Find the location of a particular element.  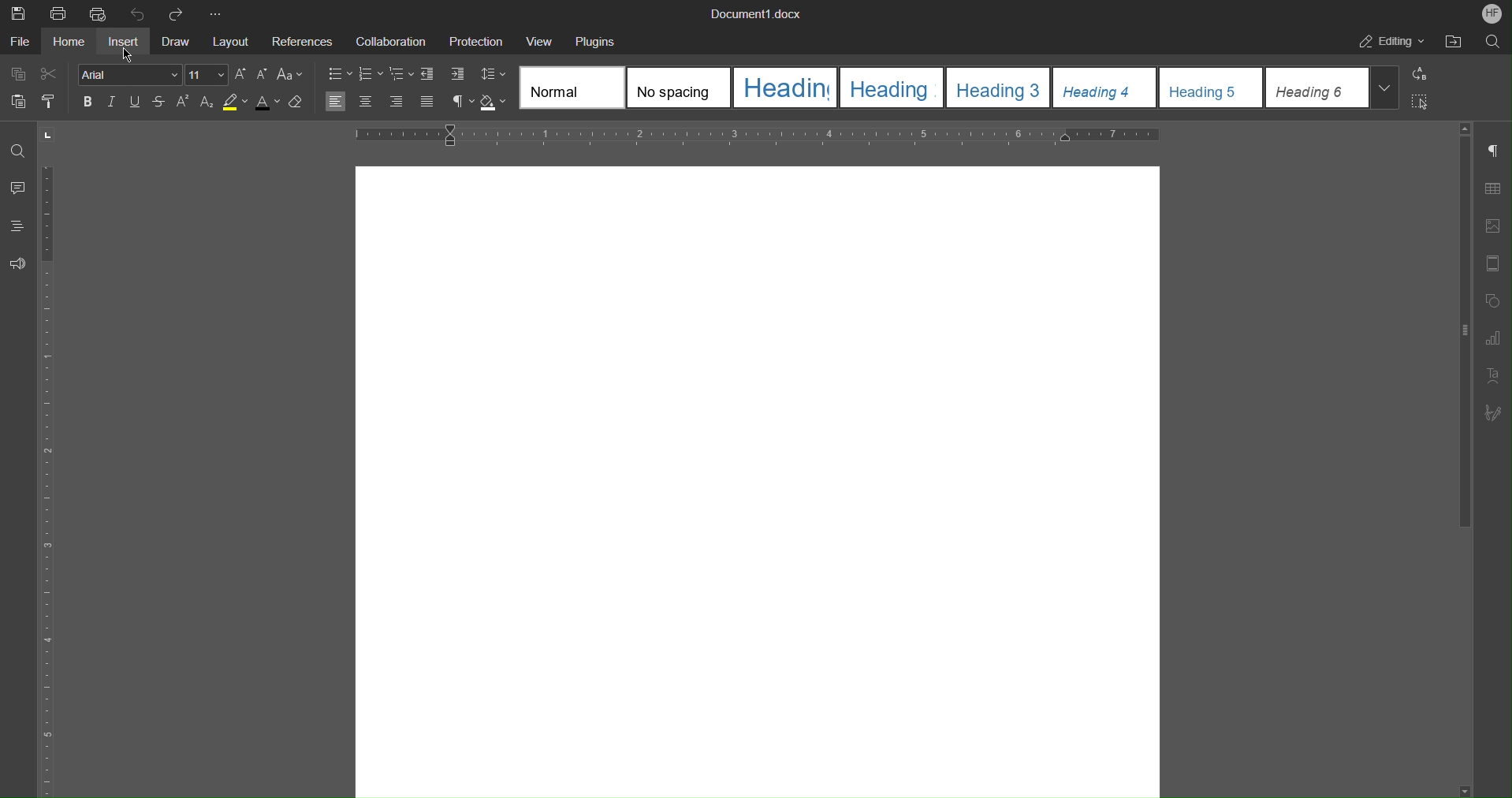

Nested List is located at coordinates (402, 76).